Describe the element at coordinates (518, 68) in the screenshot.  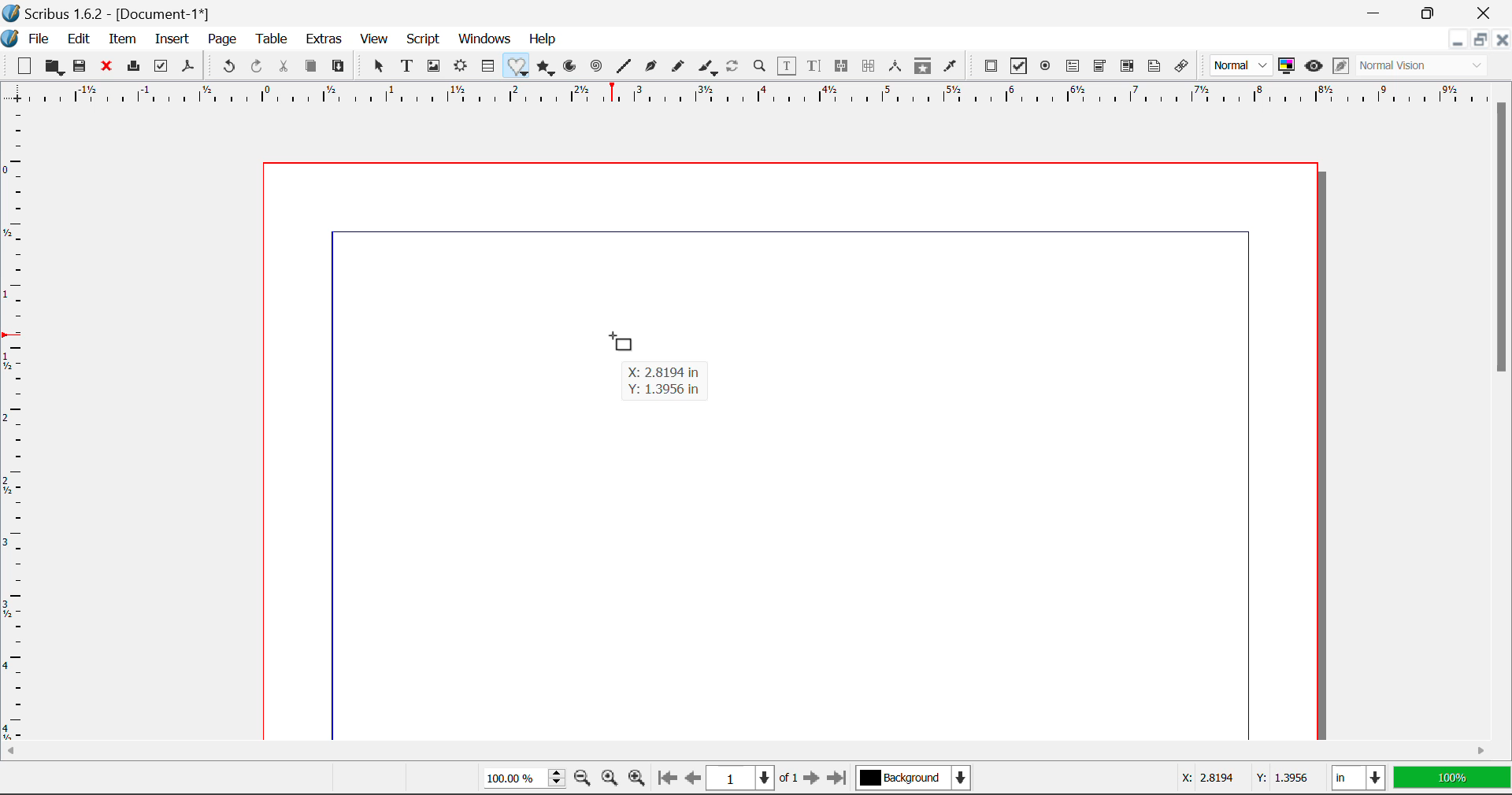
I see `Insert Special Shapes` at that location.